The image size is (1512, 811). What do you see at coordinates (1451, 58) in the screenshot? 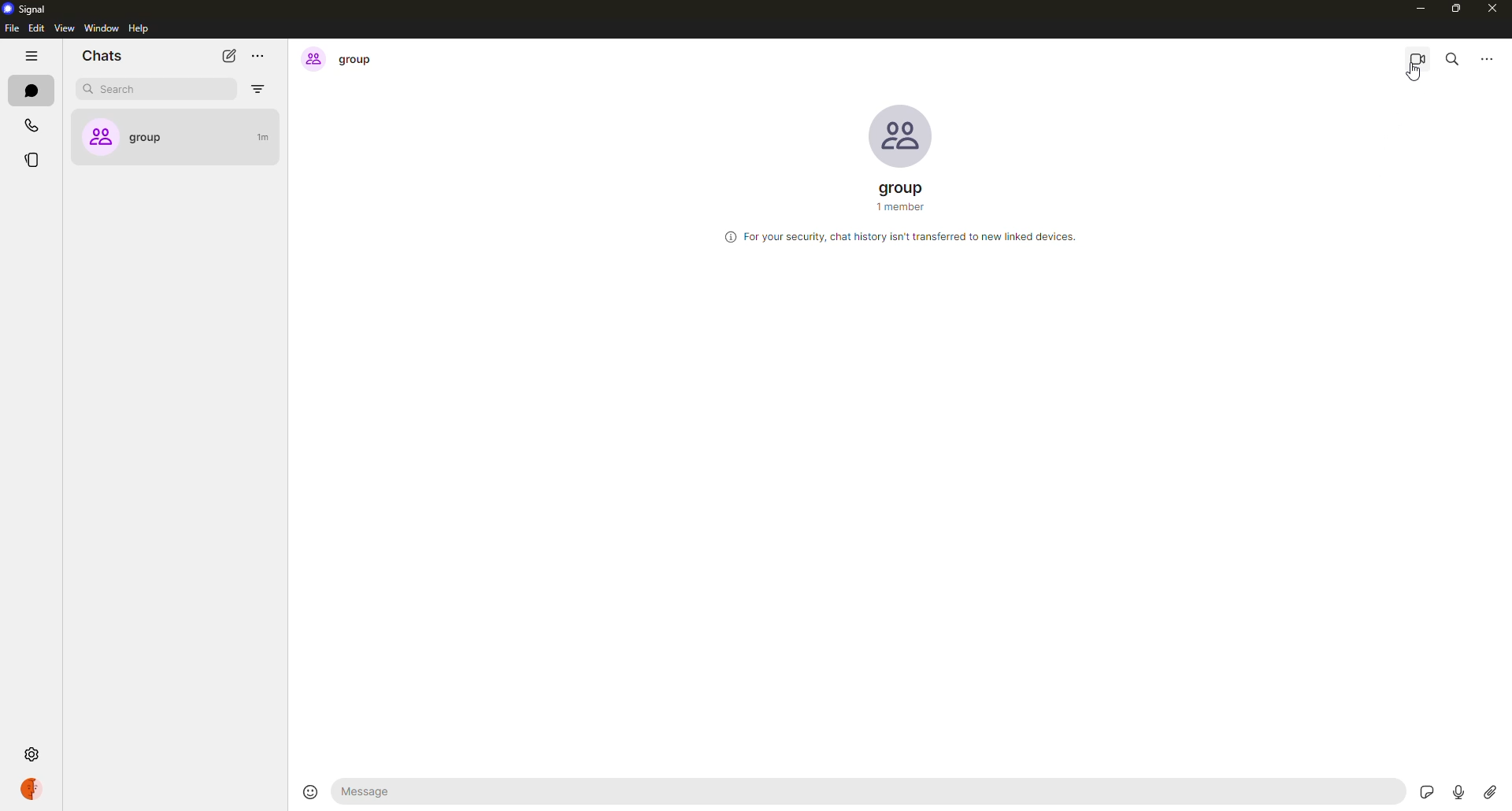
I see `search` at bounding box center [1451, 58].